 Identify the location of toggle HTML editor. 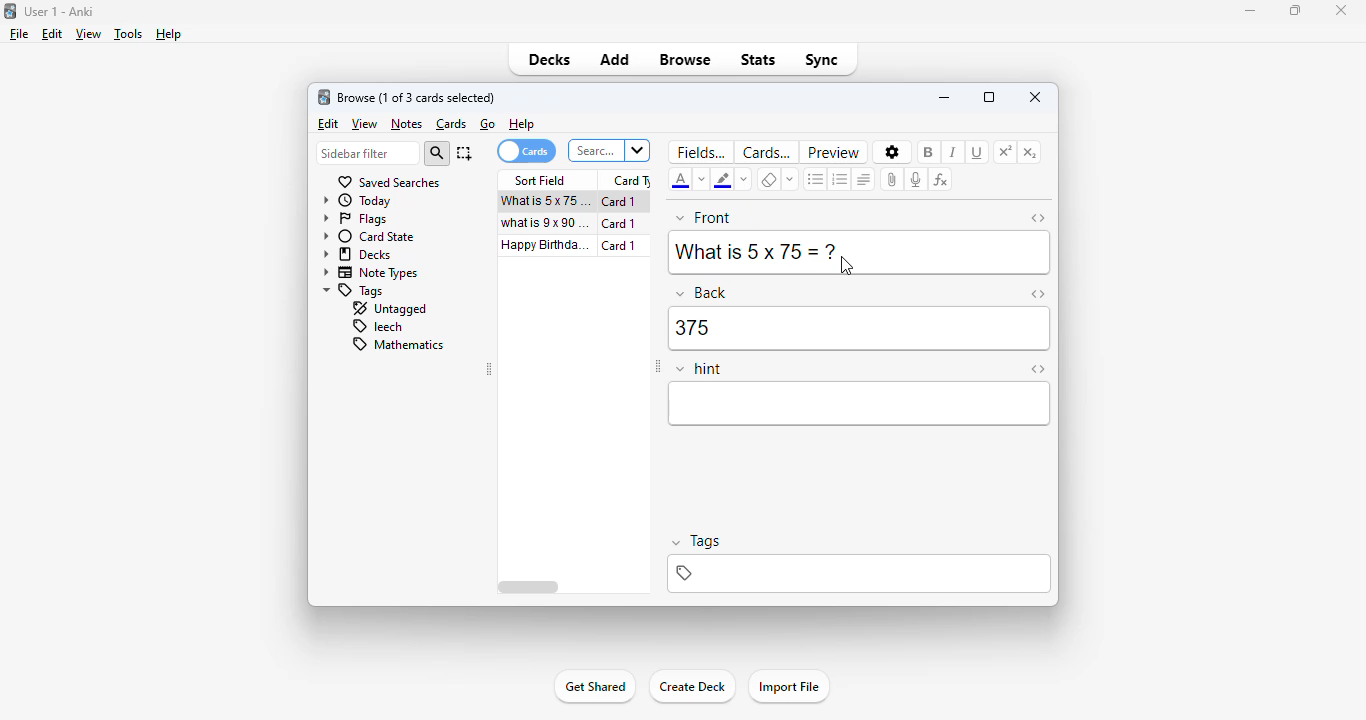
(1037, 295).